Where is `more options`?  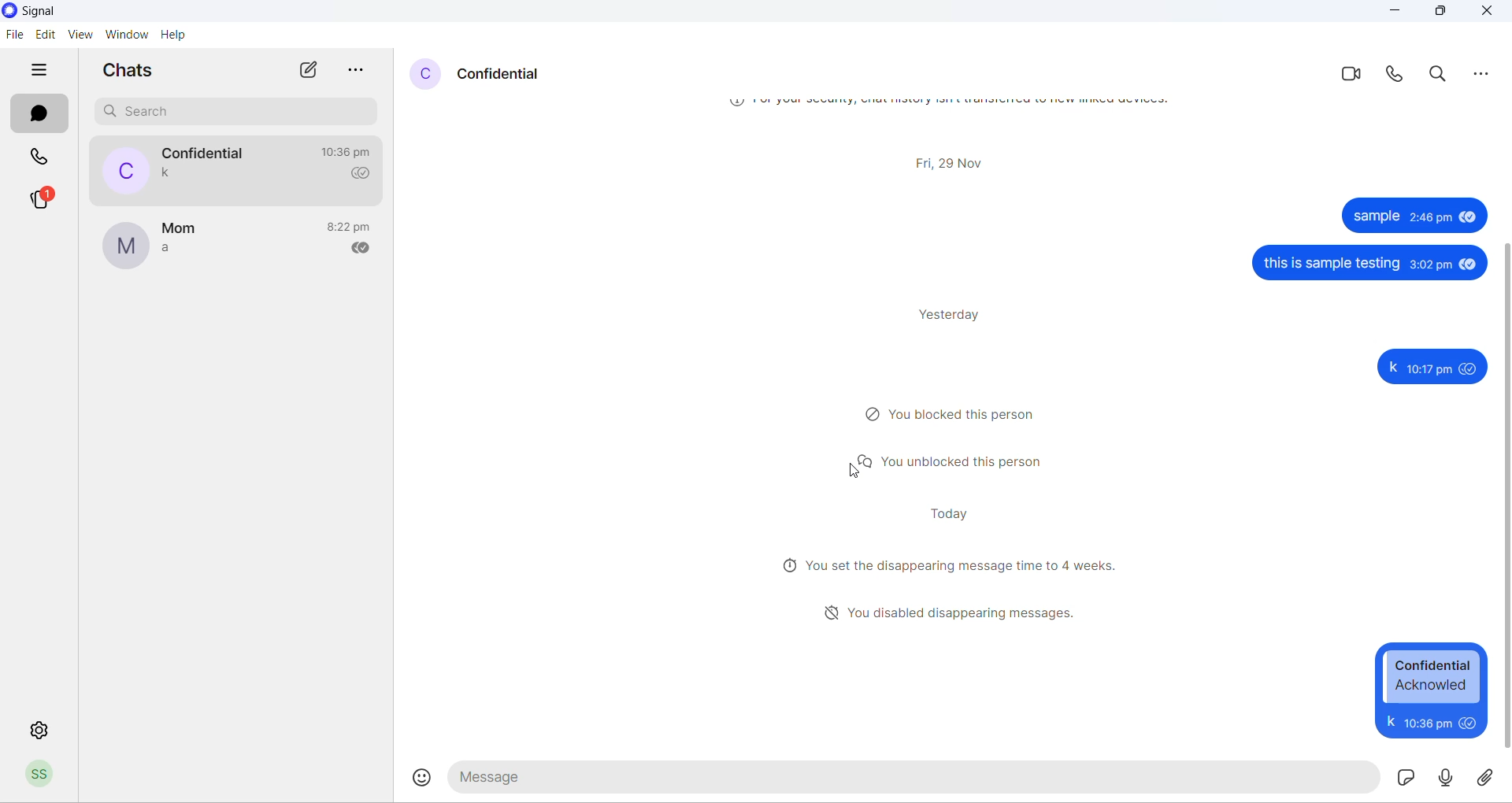
more options is located at coordinates (365, 68).